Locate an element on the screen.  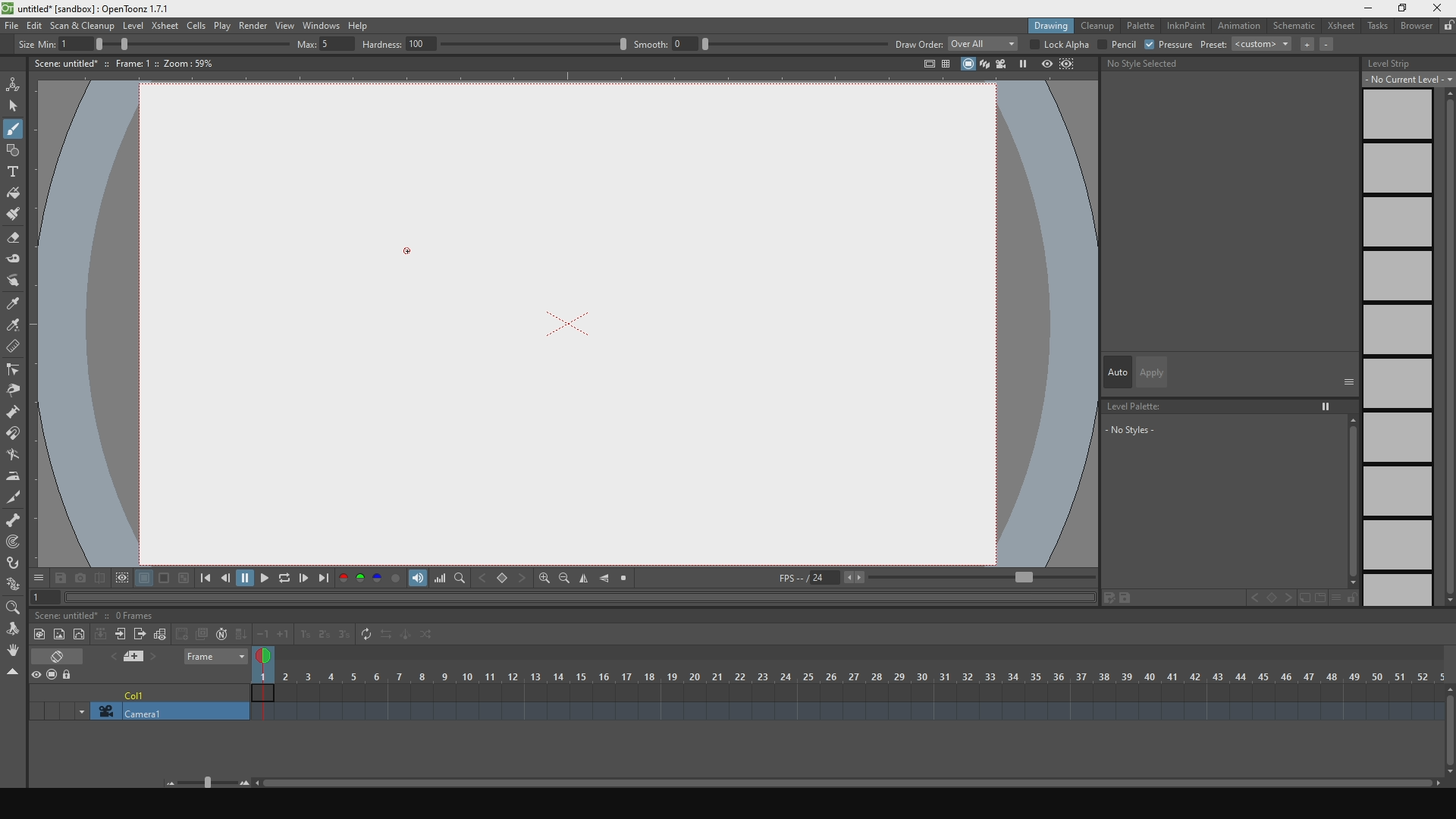
skip to the next point is located at coordinates (326, 579).